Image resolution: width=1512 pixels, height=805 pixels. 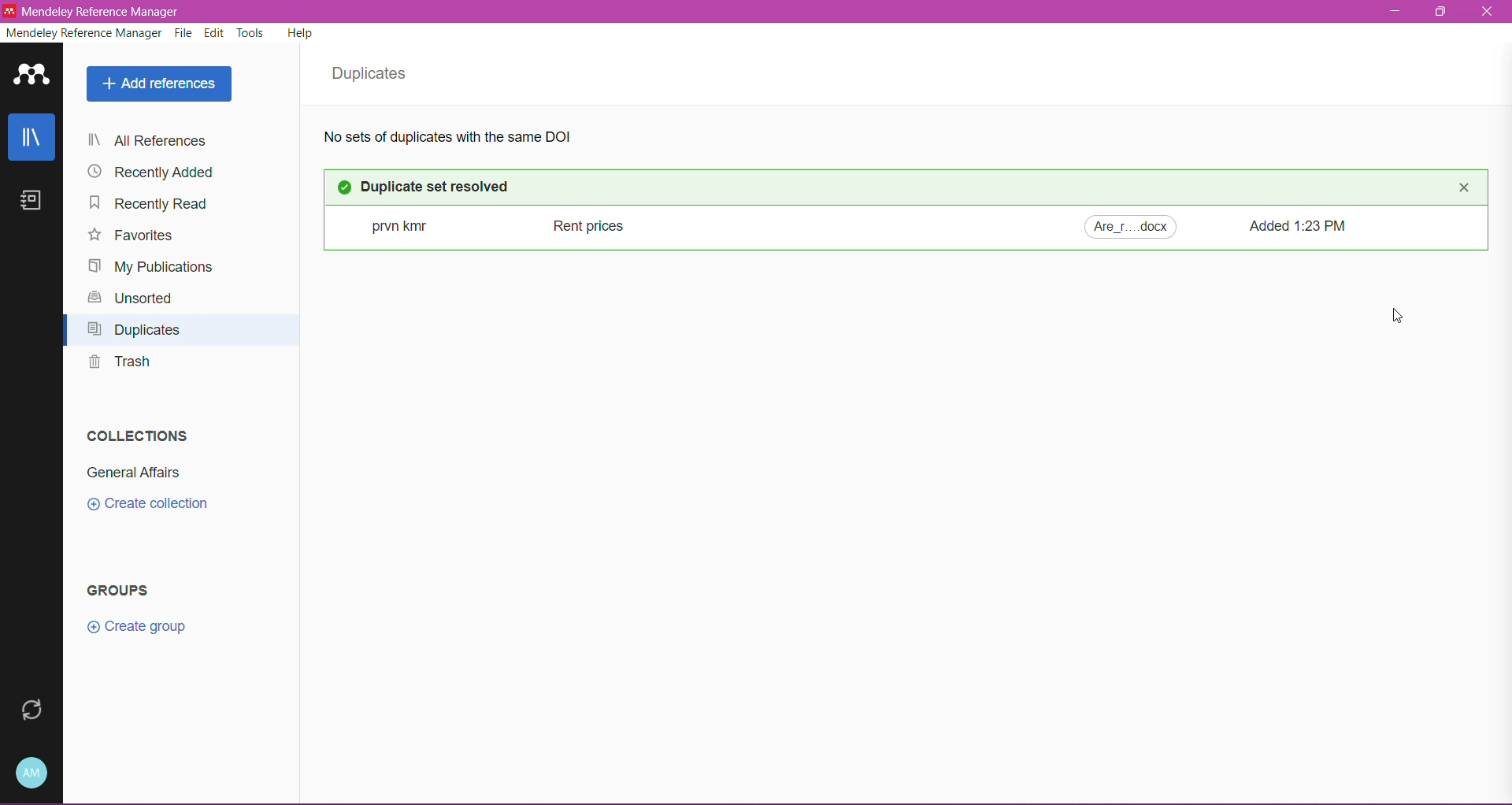 I want to click on Tools, so click(x=251, y=32).